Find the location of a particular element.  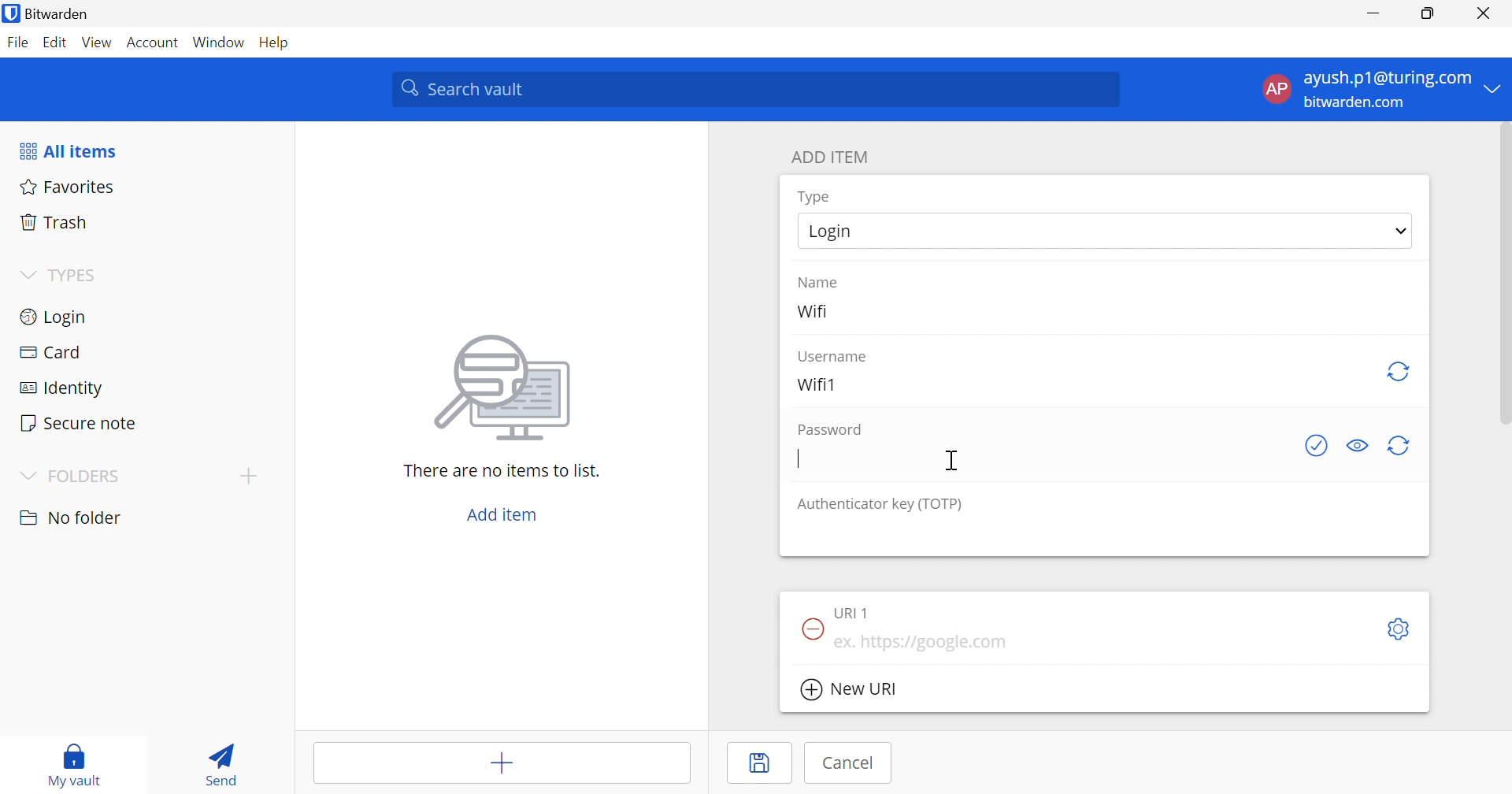

Drop Down is located at coordinates (248, 475).